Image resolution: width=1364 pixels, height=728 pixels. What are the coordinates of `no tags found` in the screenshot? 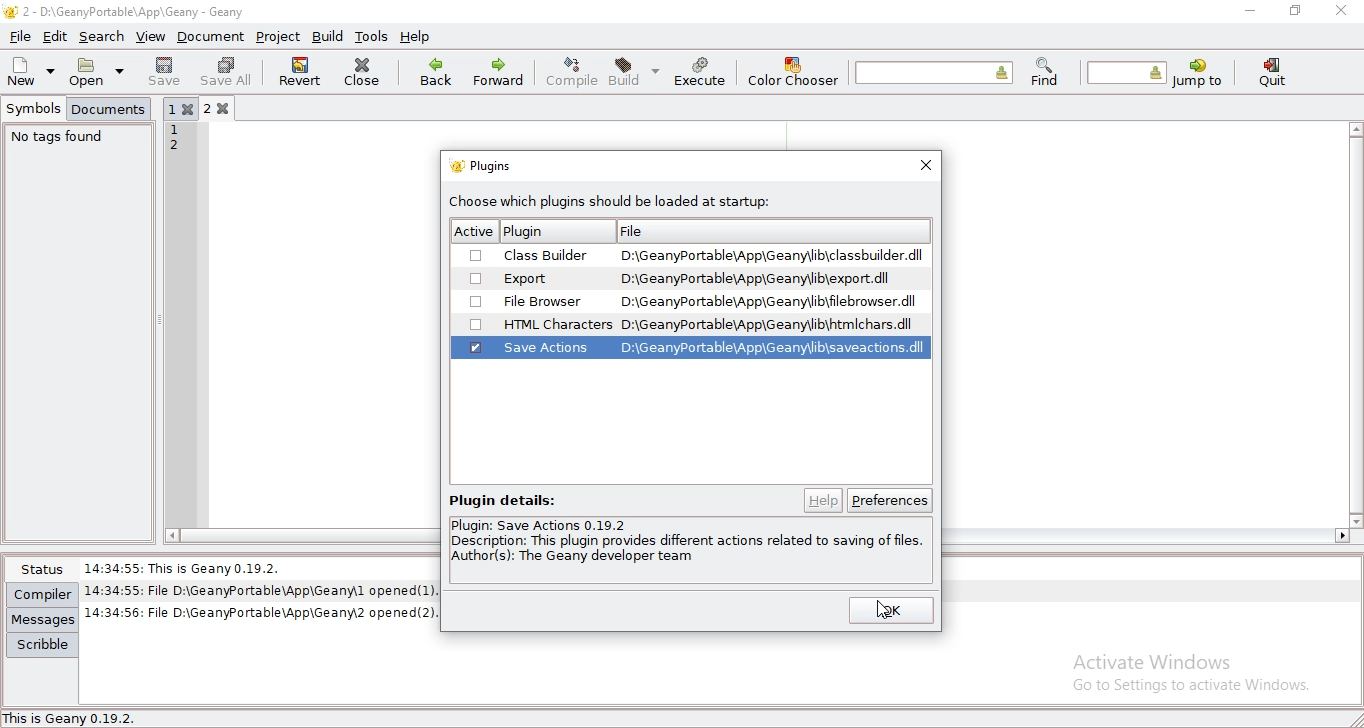 It's located at (58, 137).